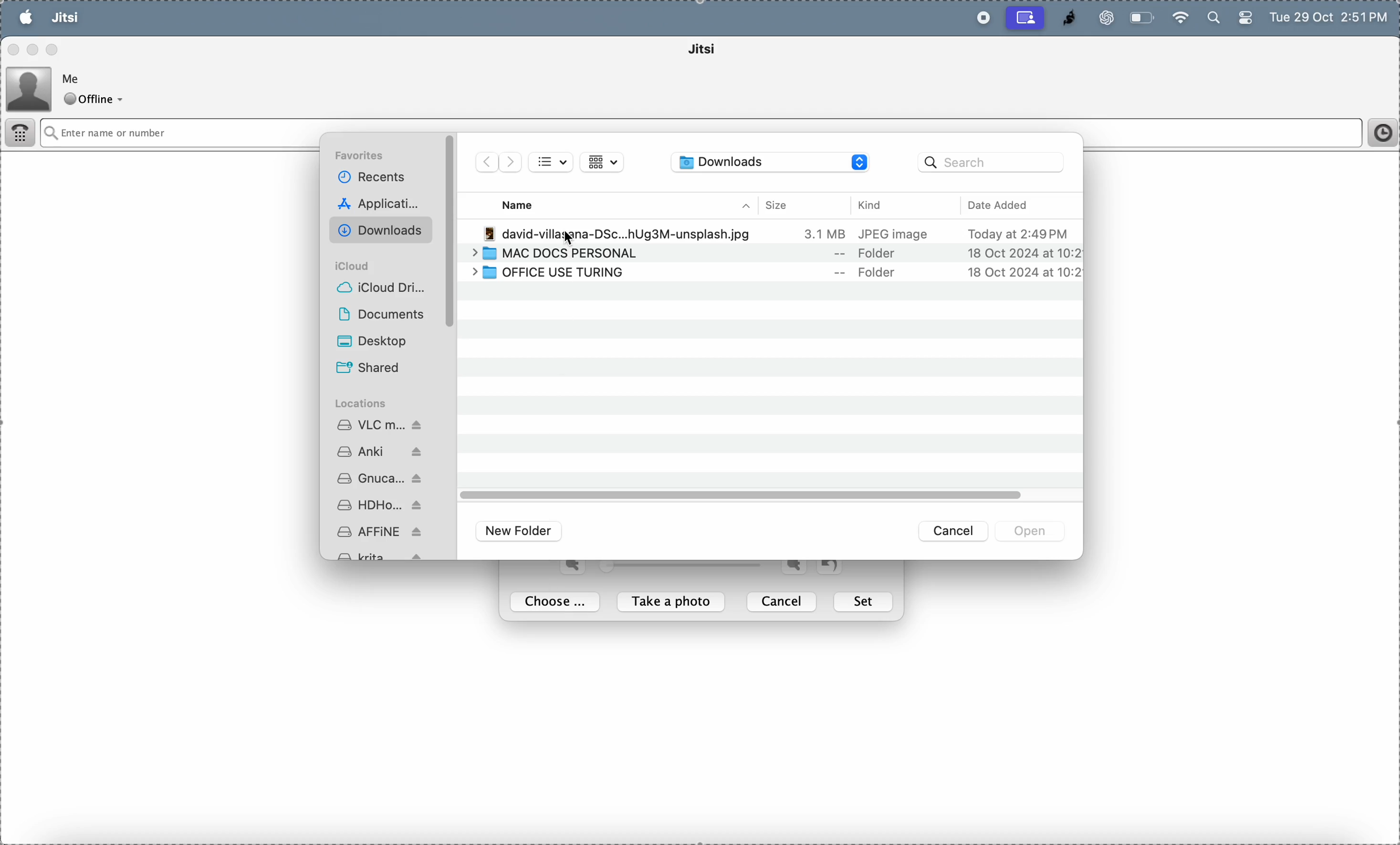 The height and width of the screenshot is (845, 1400). What do you see at coordinates (385, 555) in the screenshot?
I see `krita` at bounding box center [385, 555].